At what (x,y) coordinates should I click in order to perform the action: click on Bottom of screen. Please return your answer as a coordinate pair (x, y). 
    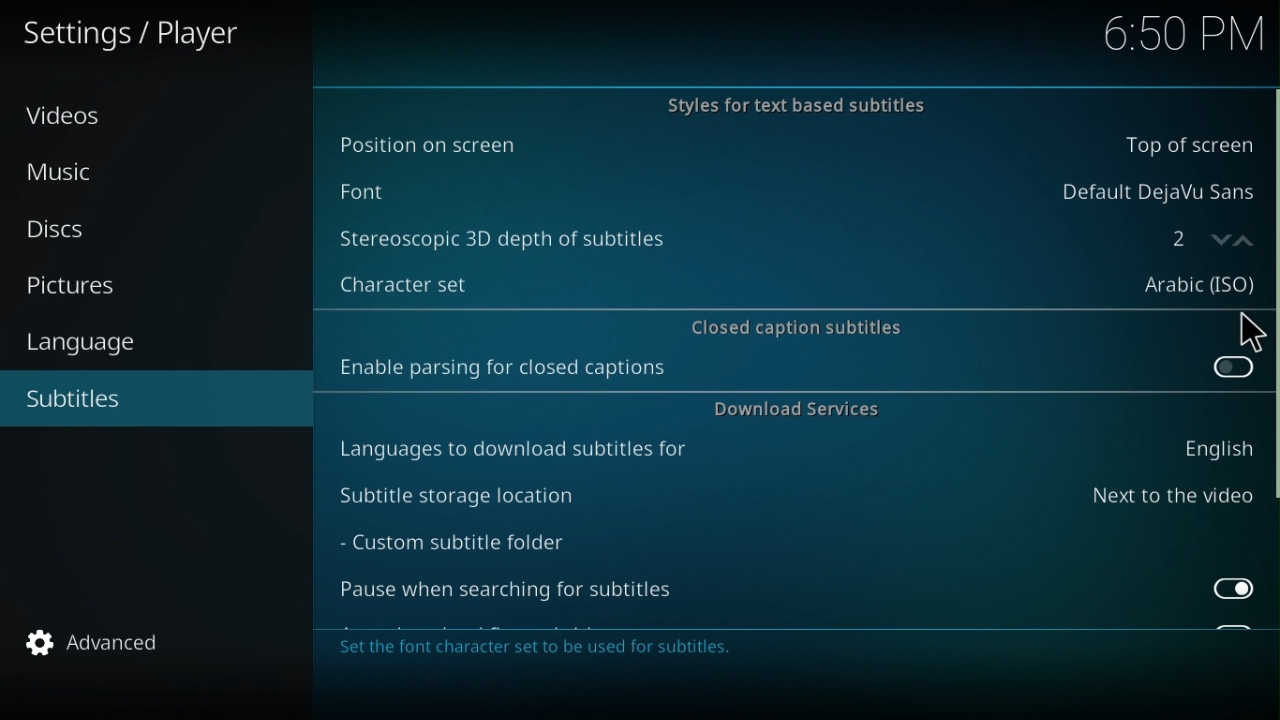
    Looking at the image, I should click on (1163, 146).